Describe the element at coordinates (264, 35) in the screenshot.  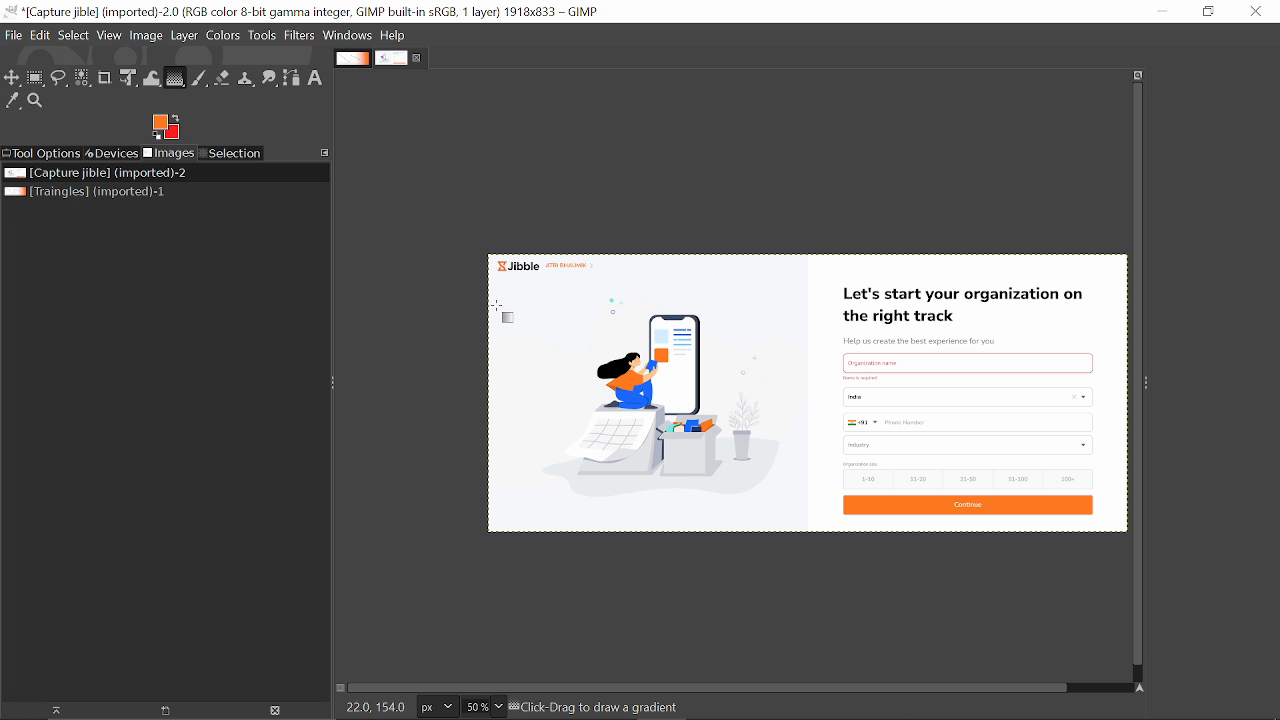
I see `Tools` at that location.